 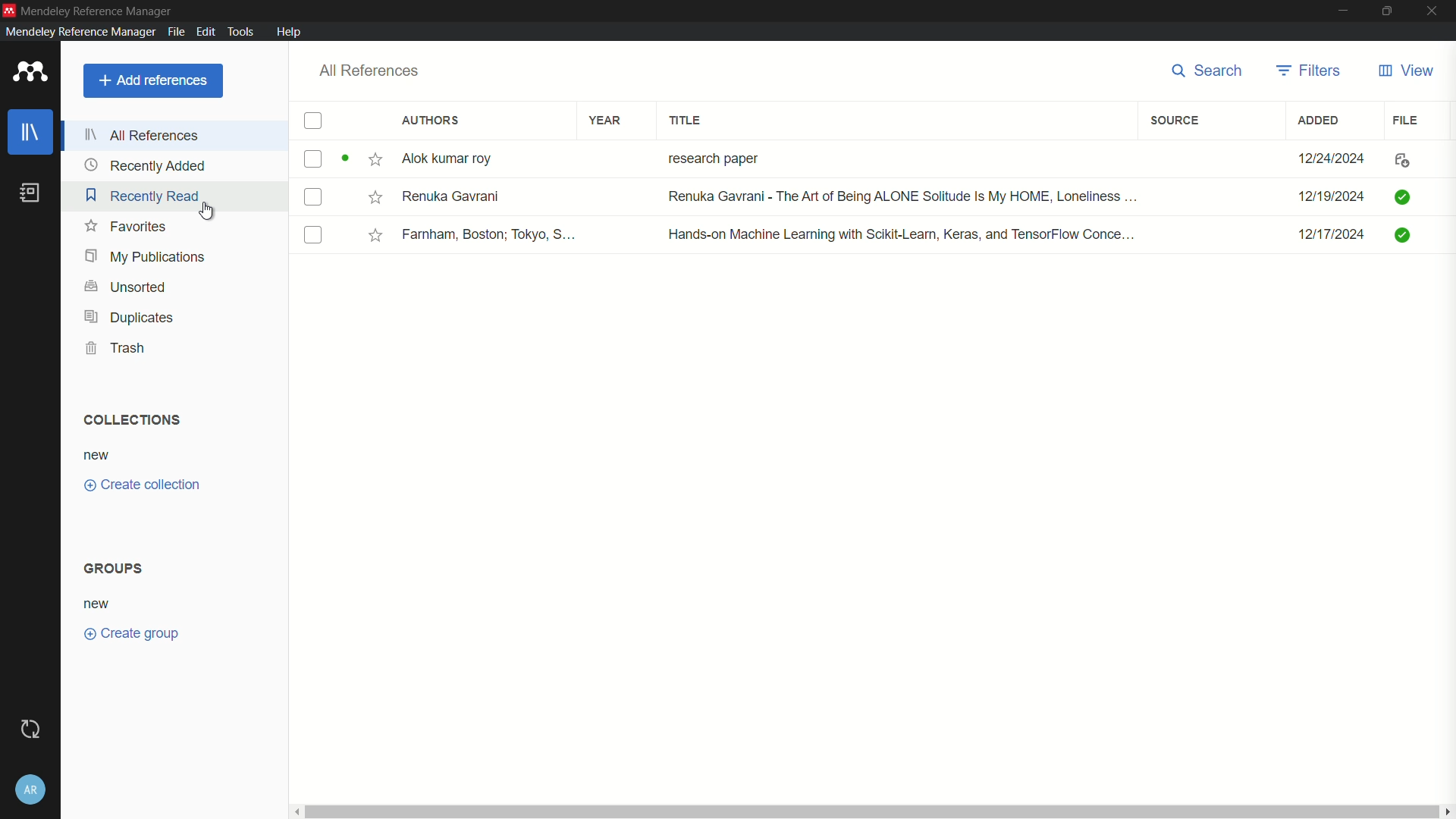 I want to click on source, so click(x=1175, y=121).